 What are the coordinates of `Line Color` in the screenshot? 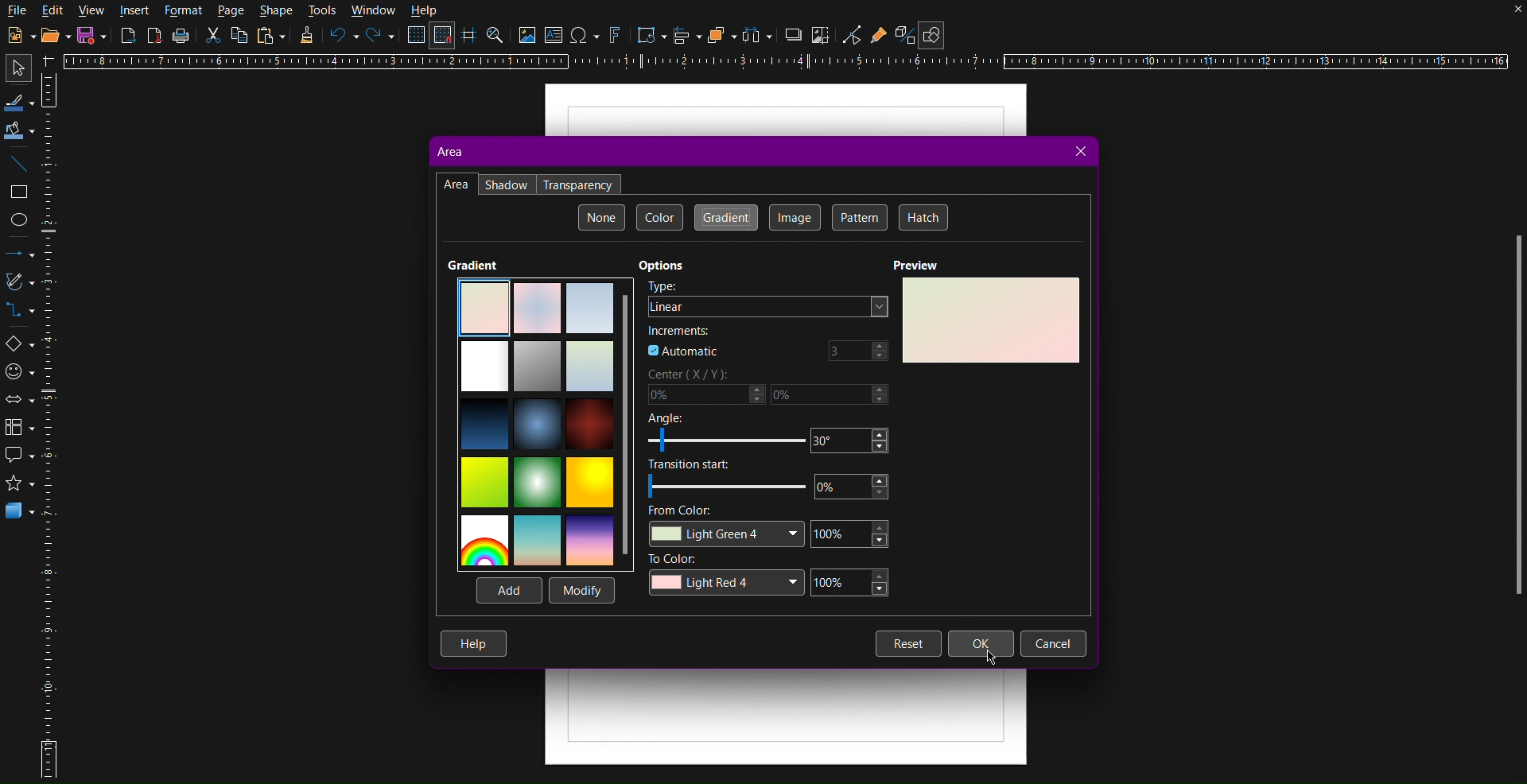 It's located at (18, 101).